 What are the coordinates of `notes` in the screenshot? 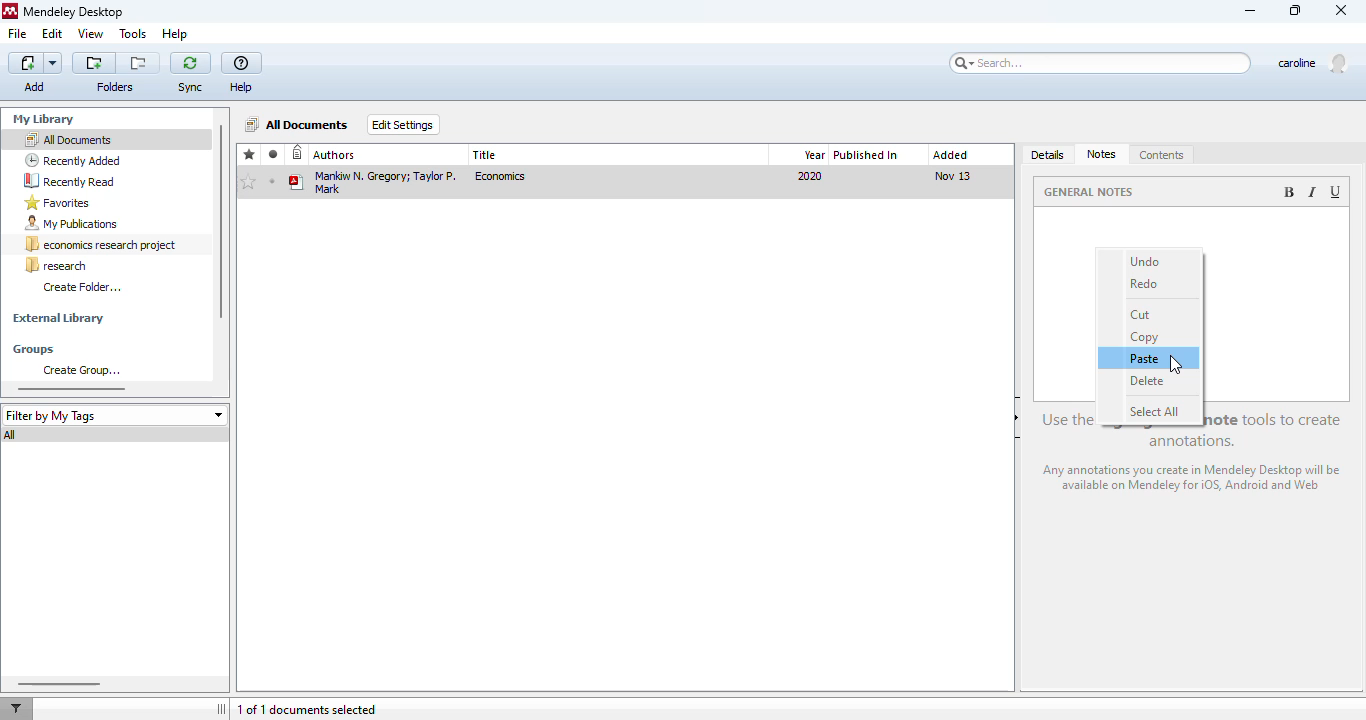 It's located at (1102, 154).